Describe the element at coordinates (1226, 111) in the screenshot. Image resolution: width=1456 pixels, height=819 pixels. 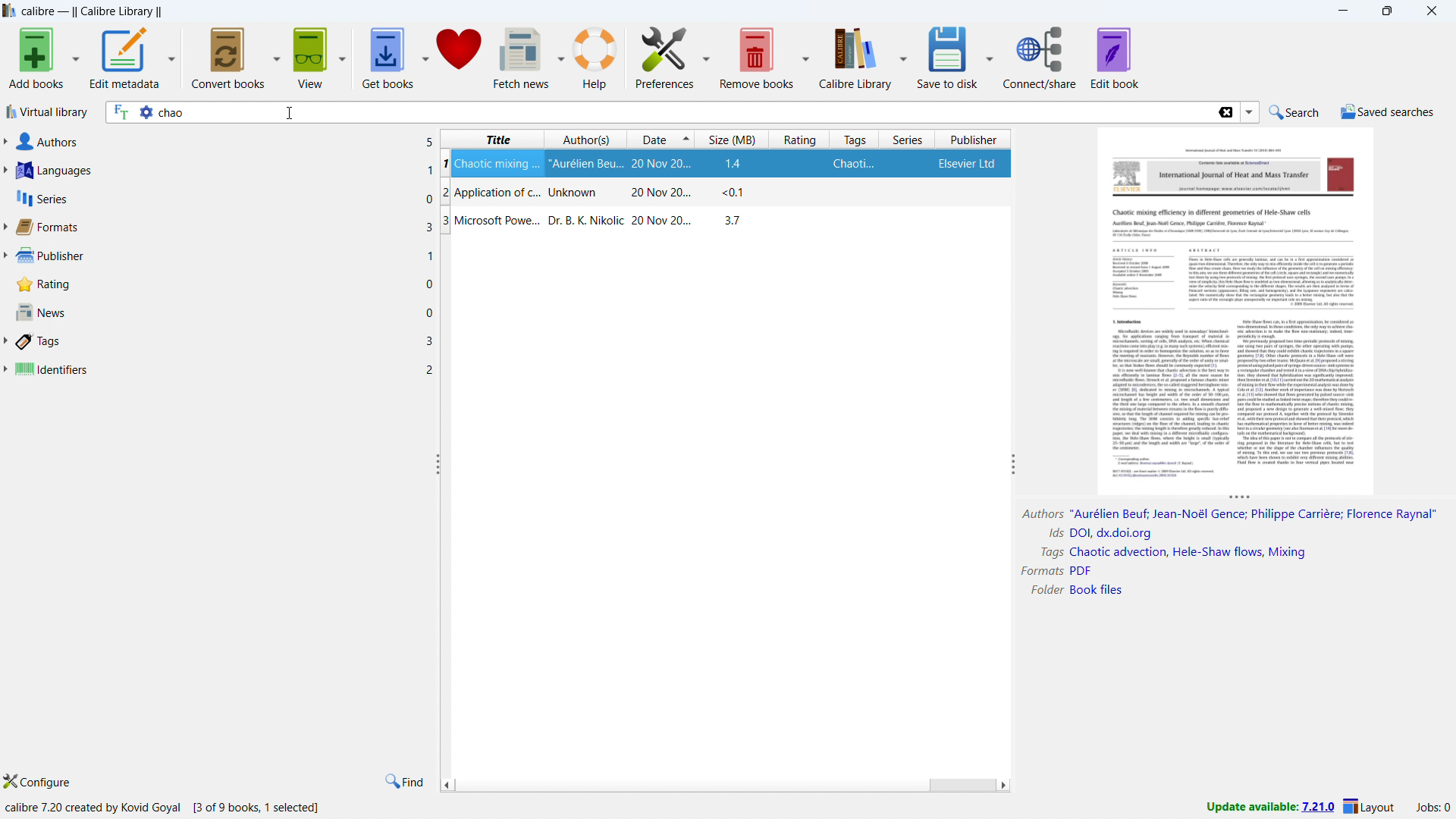
I see `delete search string` at that location.